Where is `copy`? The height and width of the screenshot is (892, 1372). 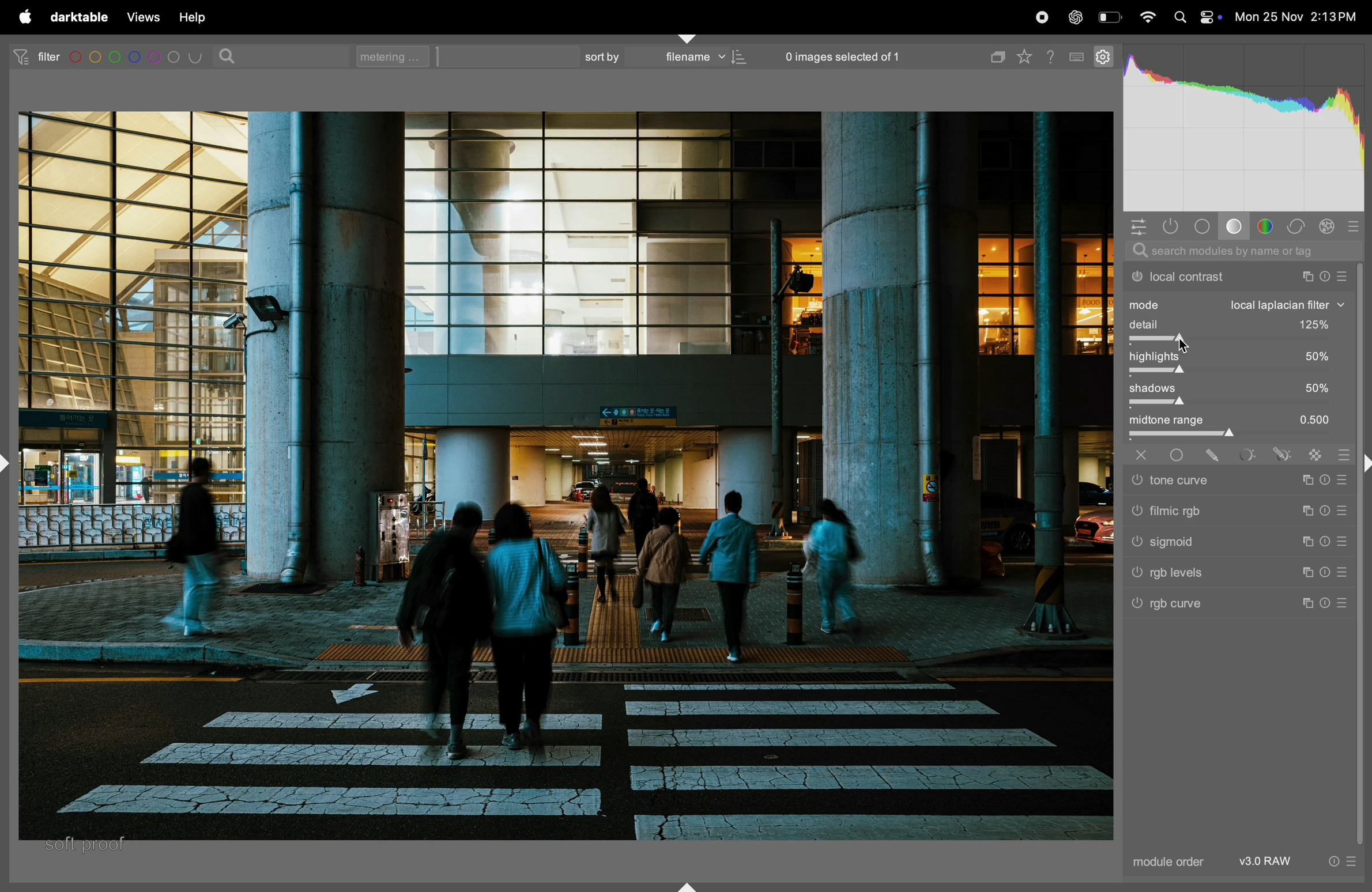
copy is located at coordinates (995, 54).